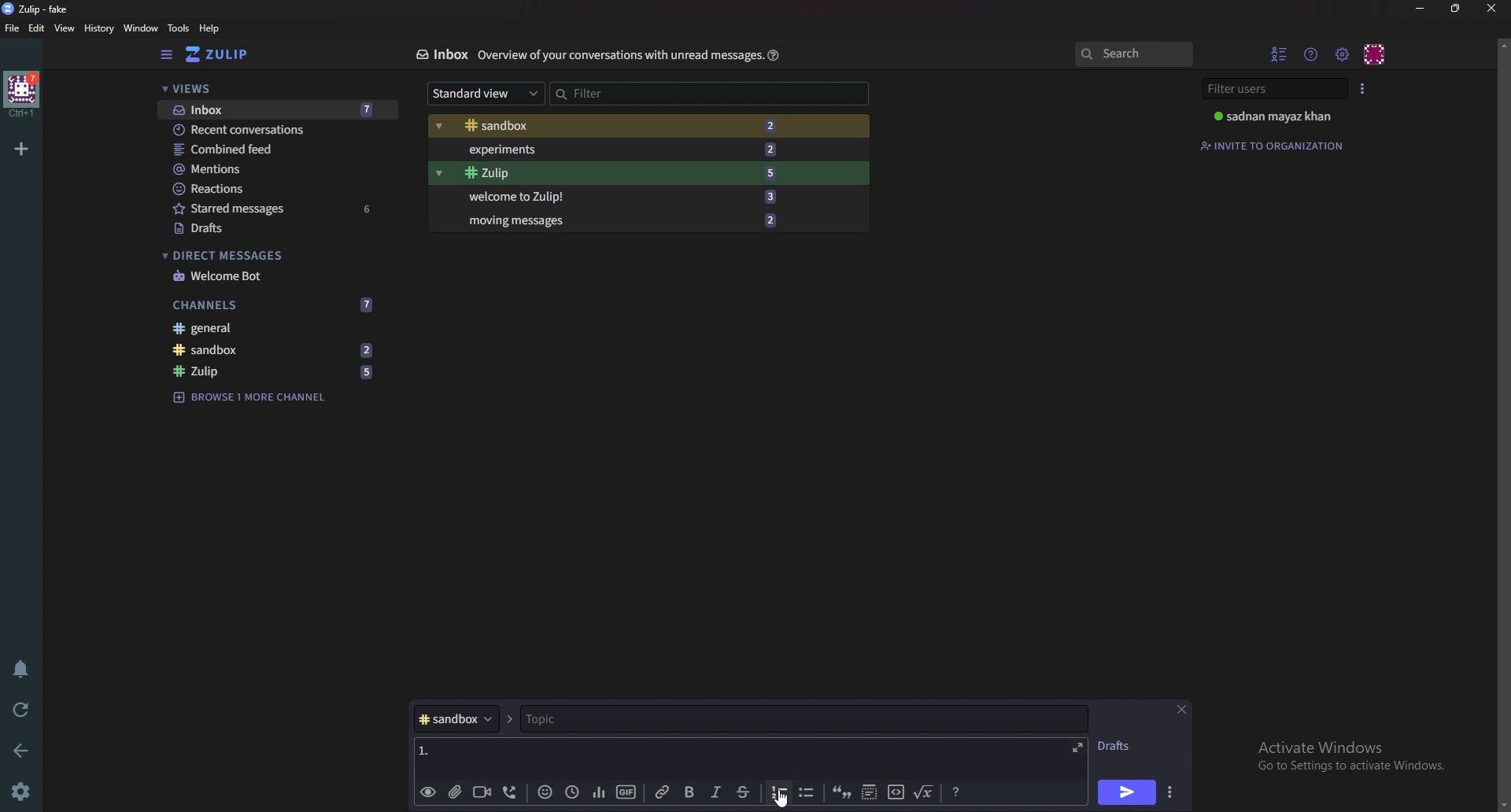  I want to click on Italic, so click(715, 795).